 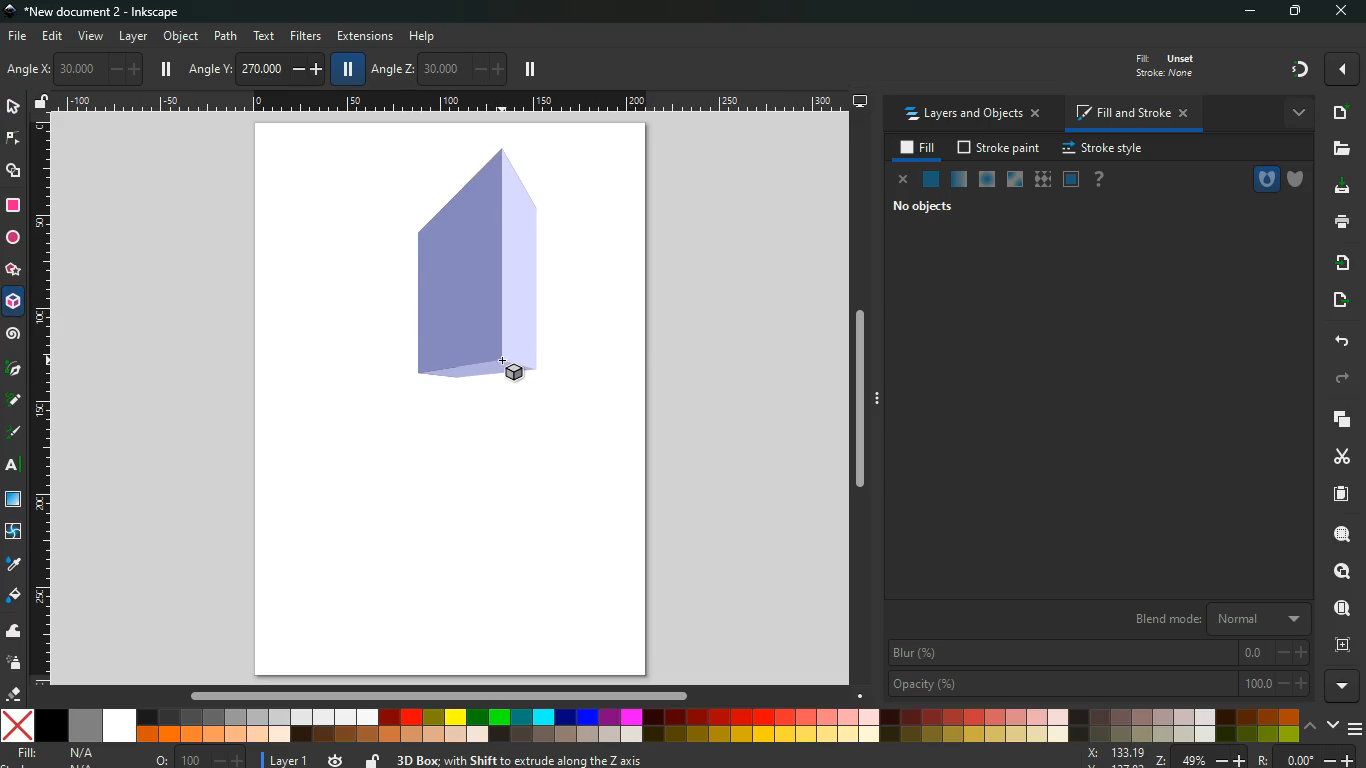 I want to click on circle, so click(x=13, y=240).